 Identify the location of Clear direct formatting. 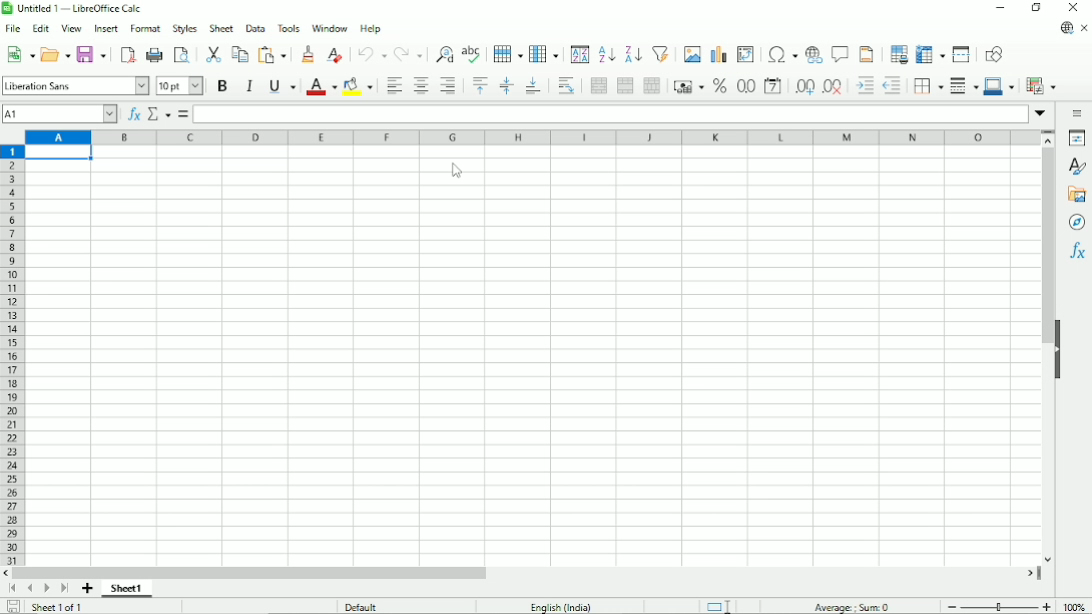
(335, 56).